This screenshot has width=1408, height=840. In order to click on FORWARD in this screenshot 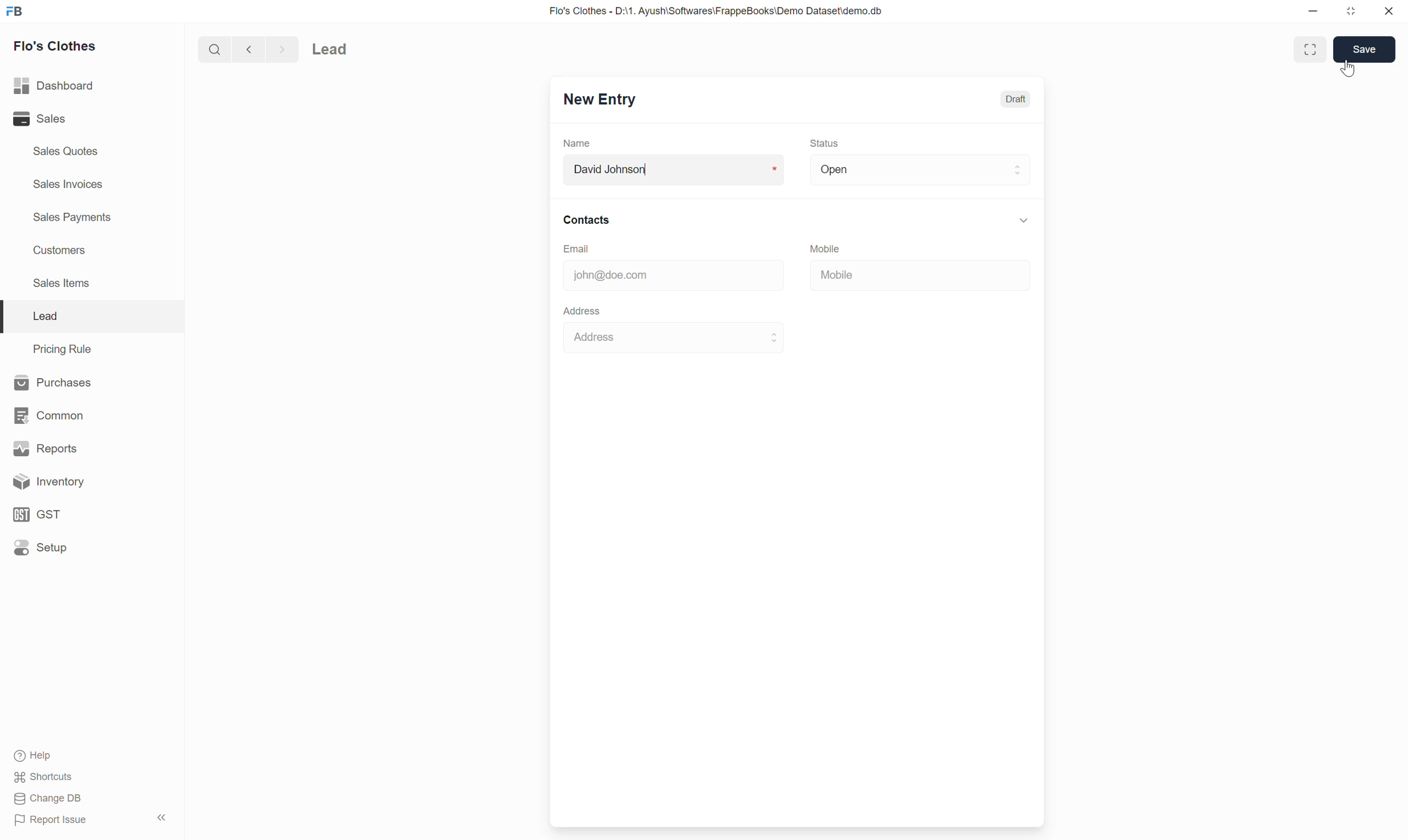, I will do `click(284, 49)`.